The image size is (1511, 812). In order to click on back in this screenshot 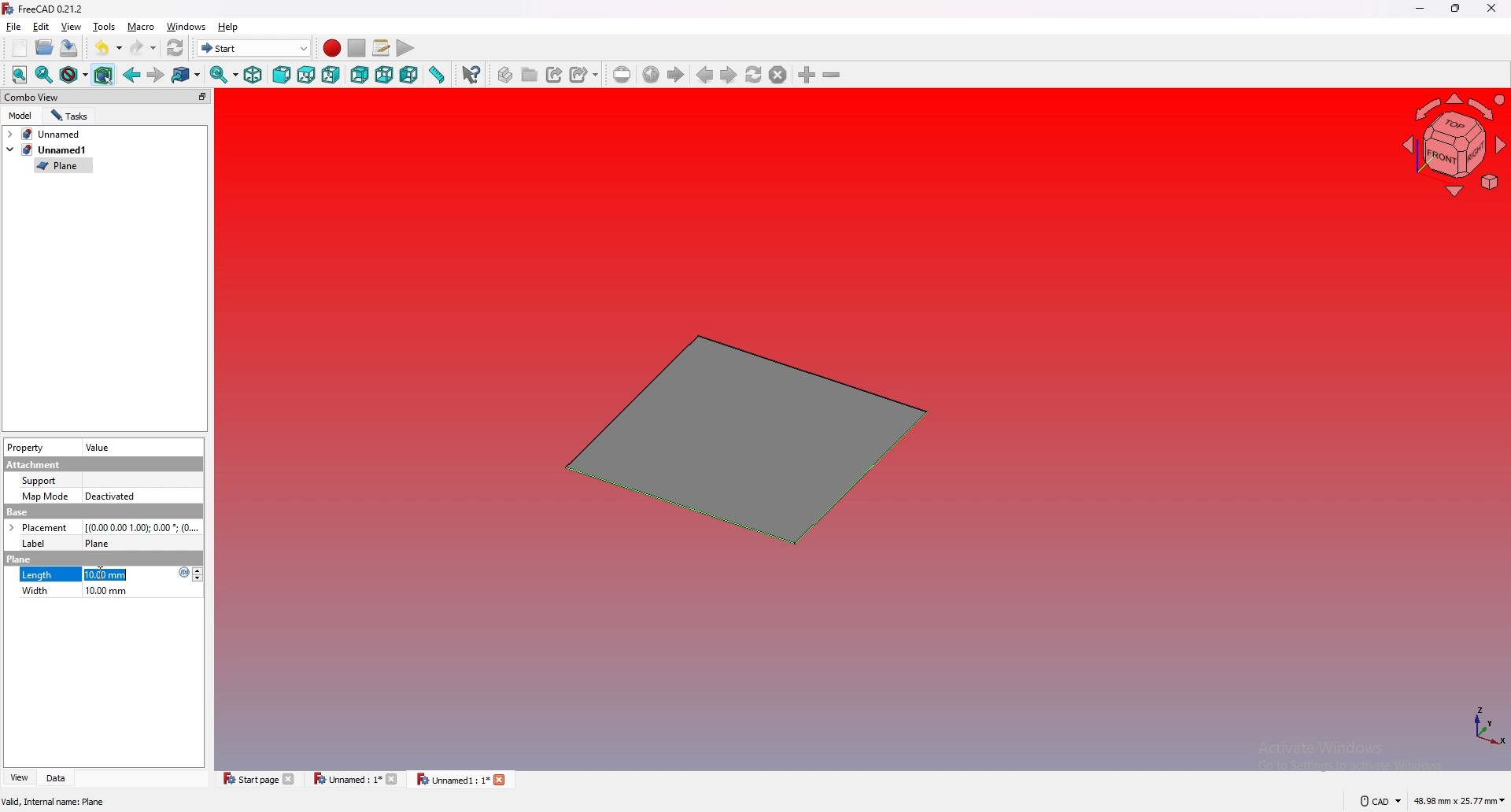, I will do `click(132, 74)`.